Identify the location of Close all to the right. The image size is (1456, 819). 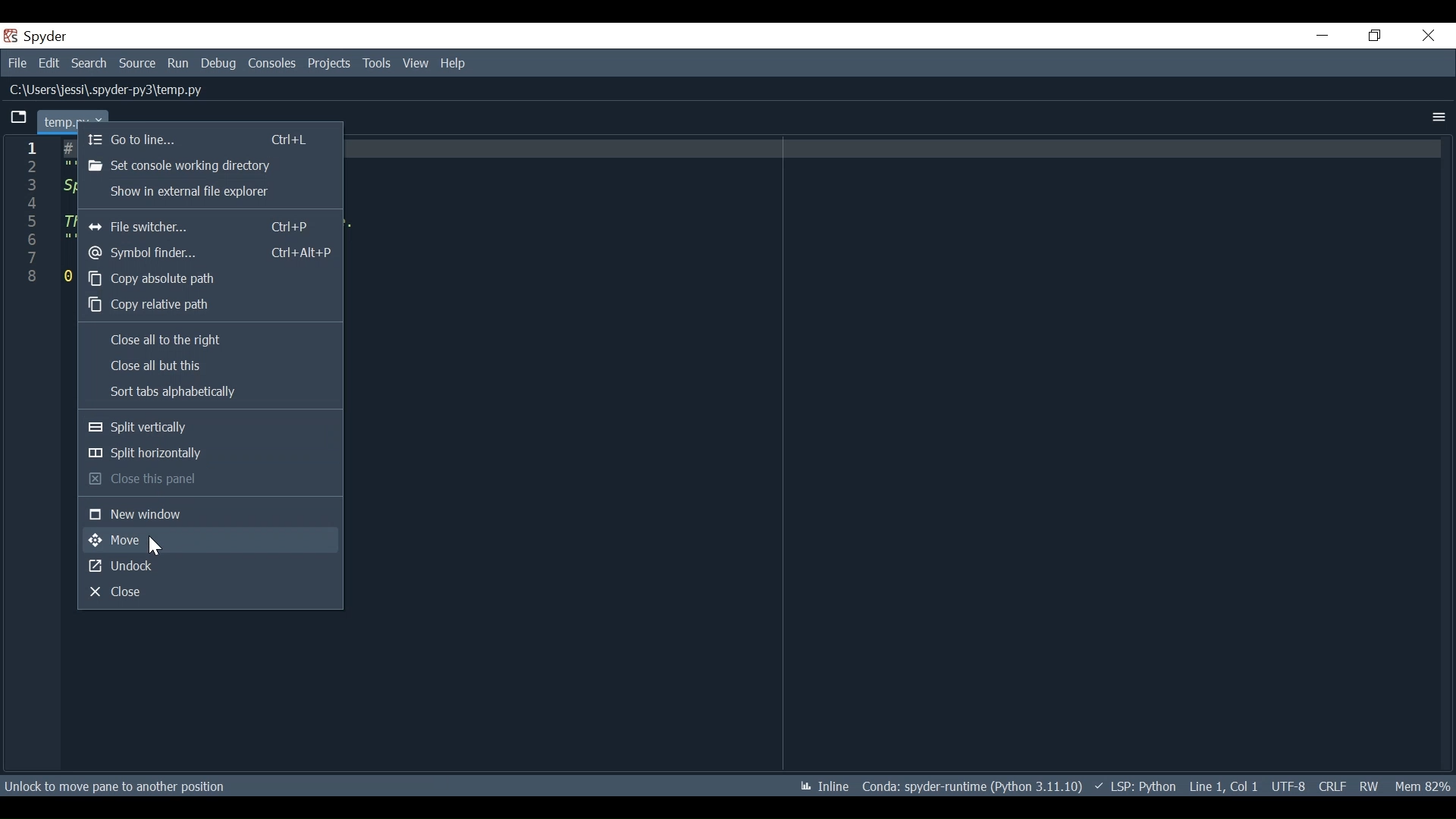
(210, 340).